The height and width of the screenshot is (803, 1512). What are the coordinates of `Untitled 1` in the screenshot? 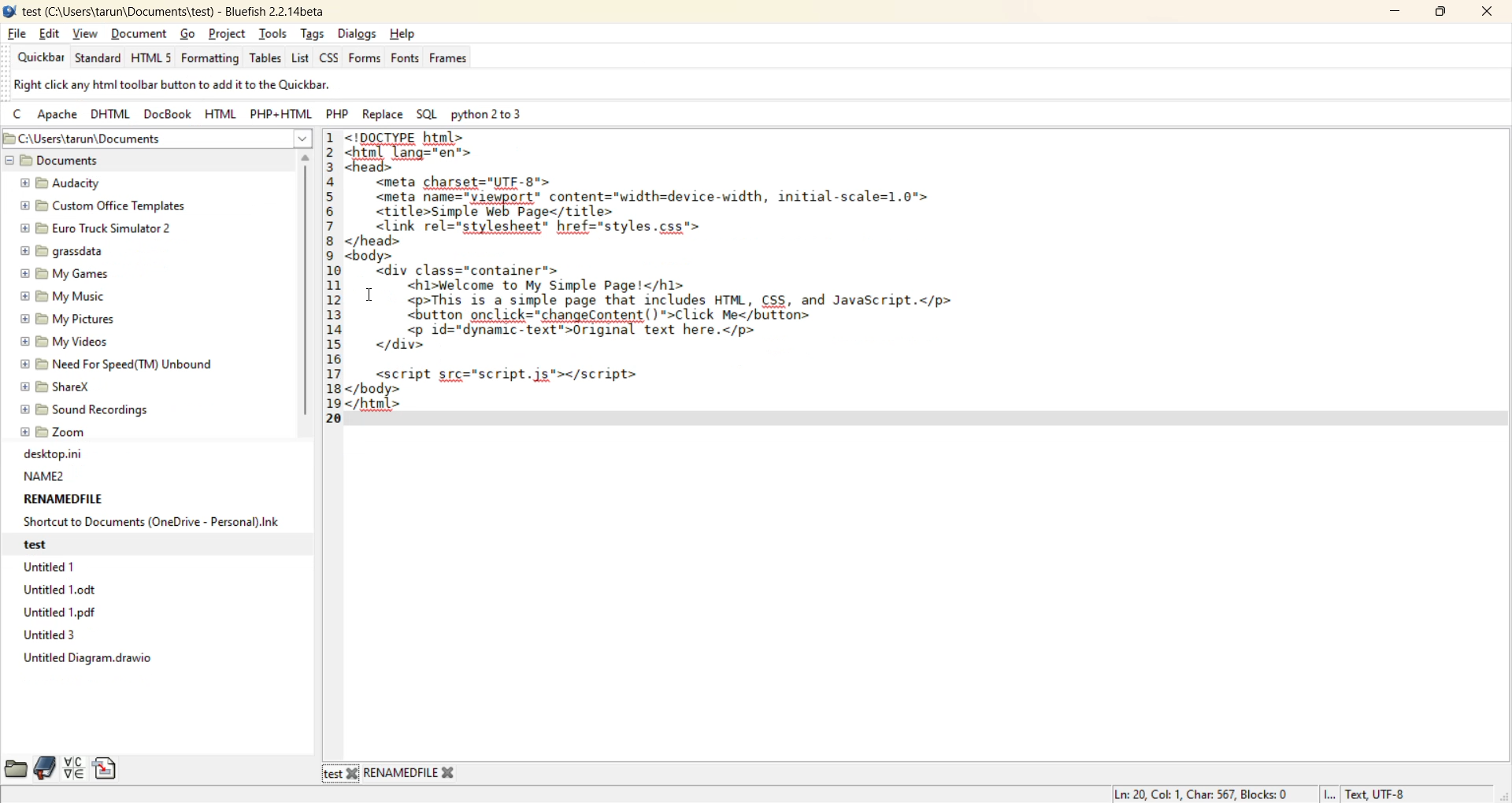 It's located at (48, 565).